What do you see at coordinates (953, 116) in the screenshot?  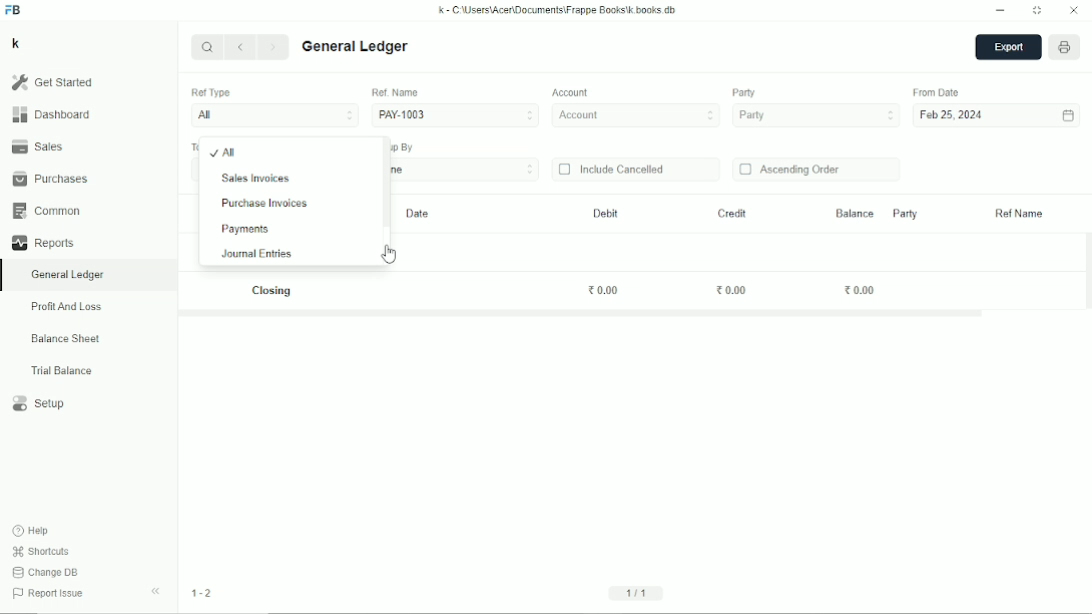 I see `Feb 25, 2024` at bounding box center [953, 116].